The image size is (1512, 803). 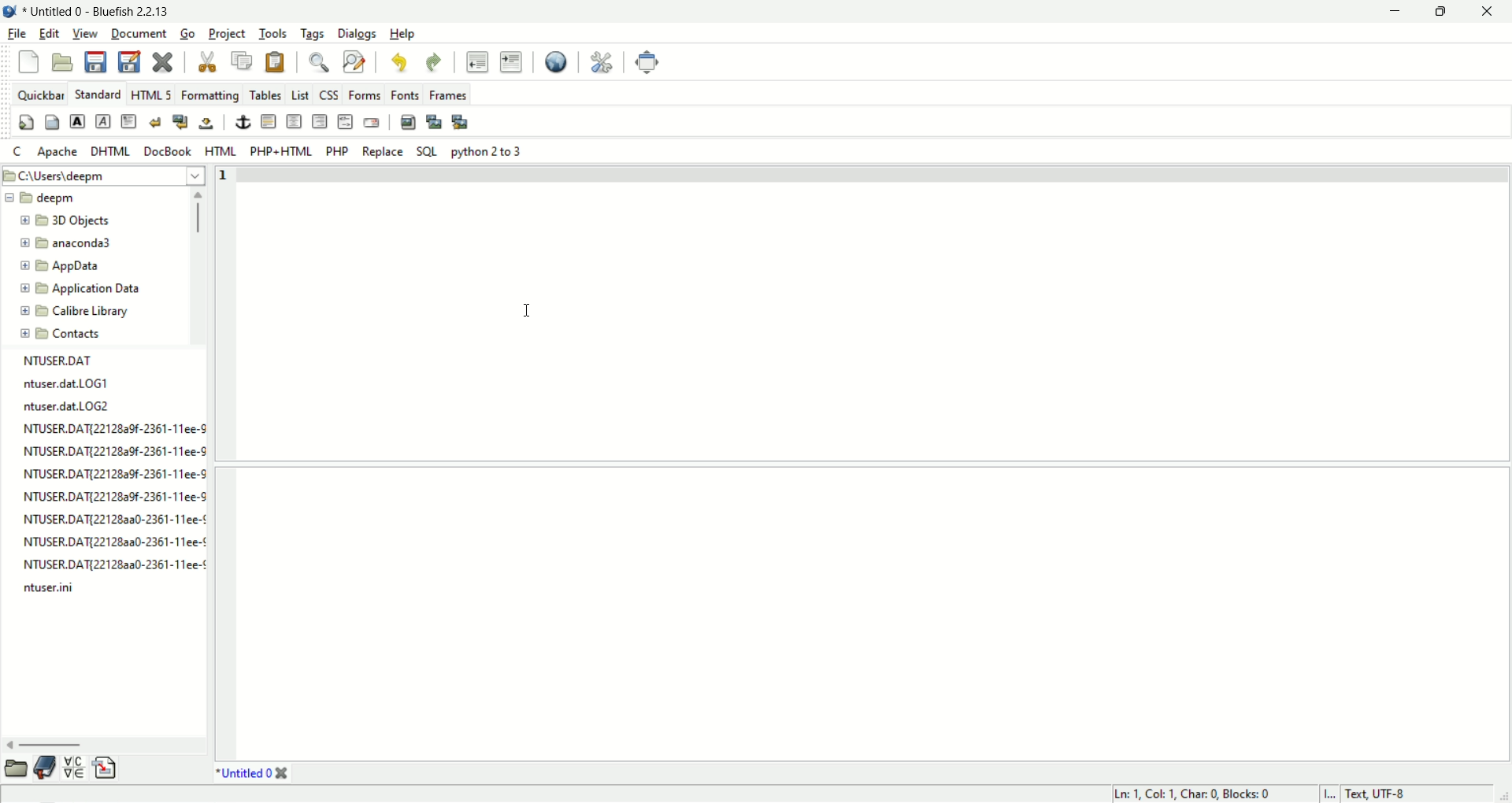 What do you see at coordinates (67, 219) in the screenshot?
I see `folder name` at bounding box center [67, 219].